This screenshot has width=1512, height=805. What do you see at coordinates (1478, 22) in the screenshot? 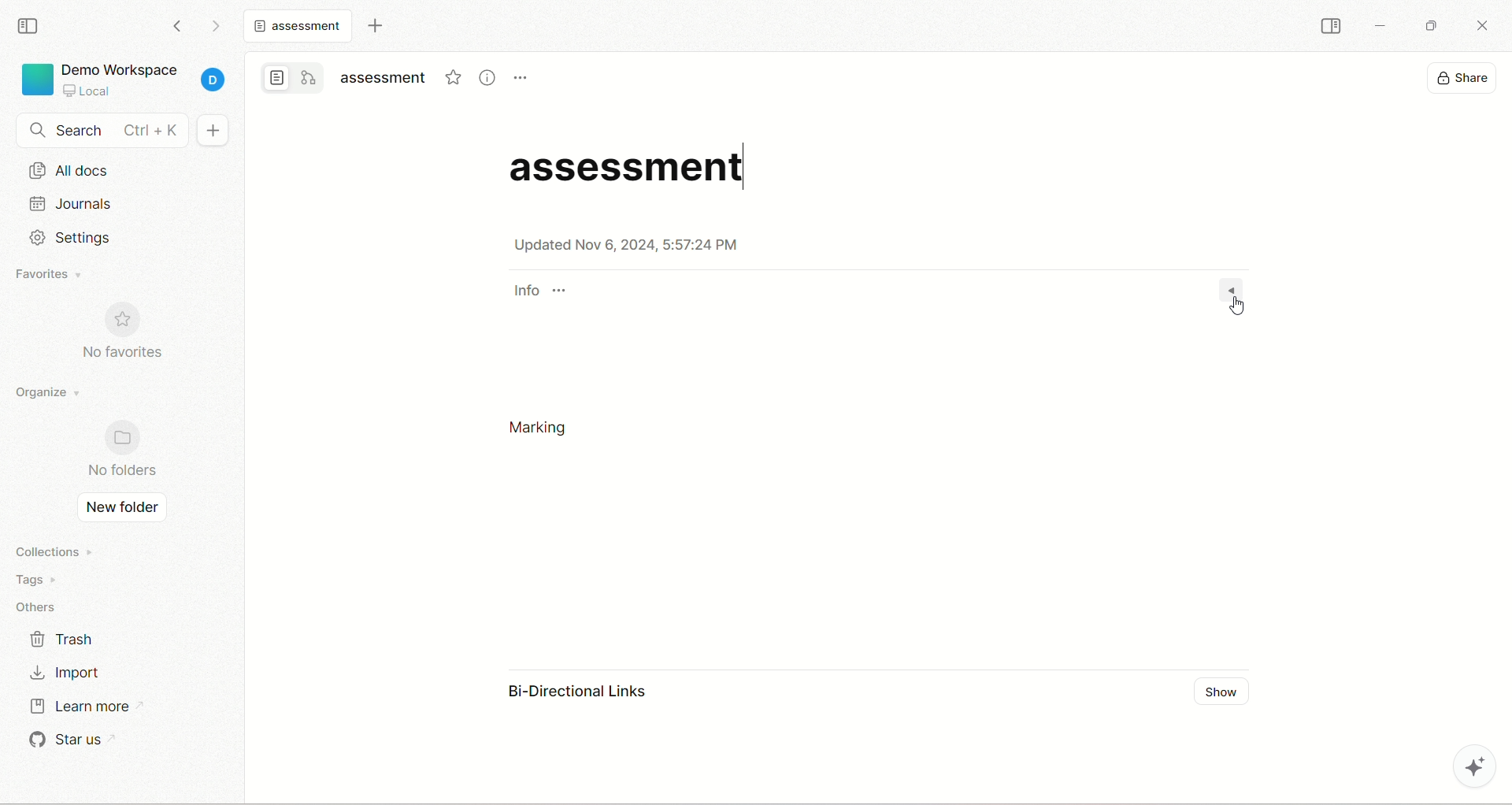
I see `CLOSE` at bounding box center [1478, 22].